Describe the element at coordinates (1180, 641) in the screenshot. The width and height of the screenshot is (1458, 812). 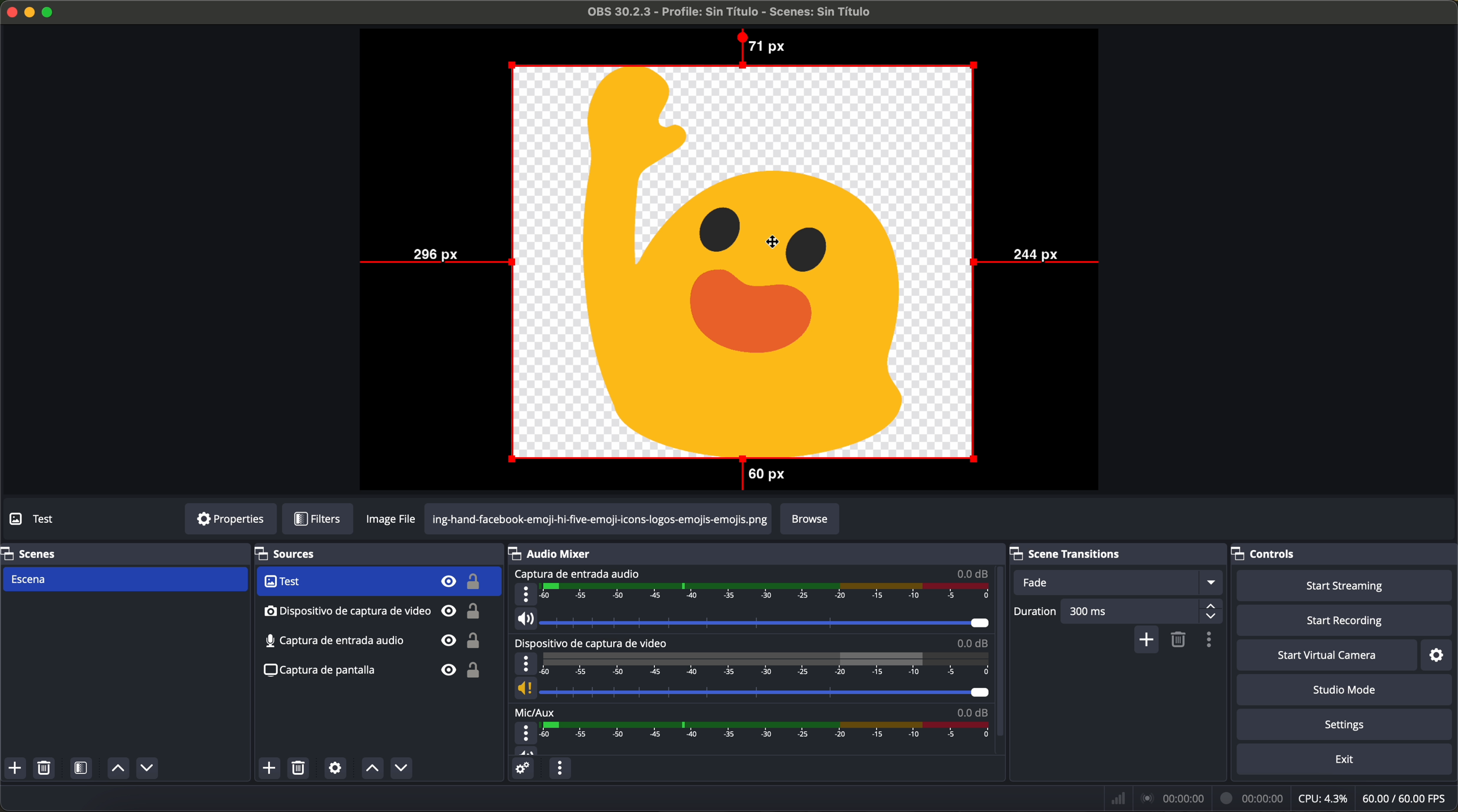
I see `remove configurable transition` at that location.